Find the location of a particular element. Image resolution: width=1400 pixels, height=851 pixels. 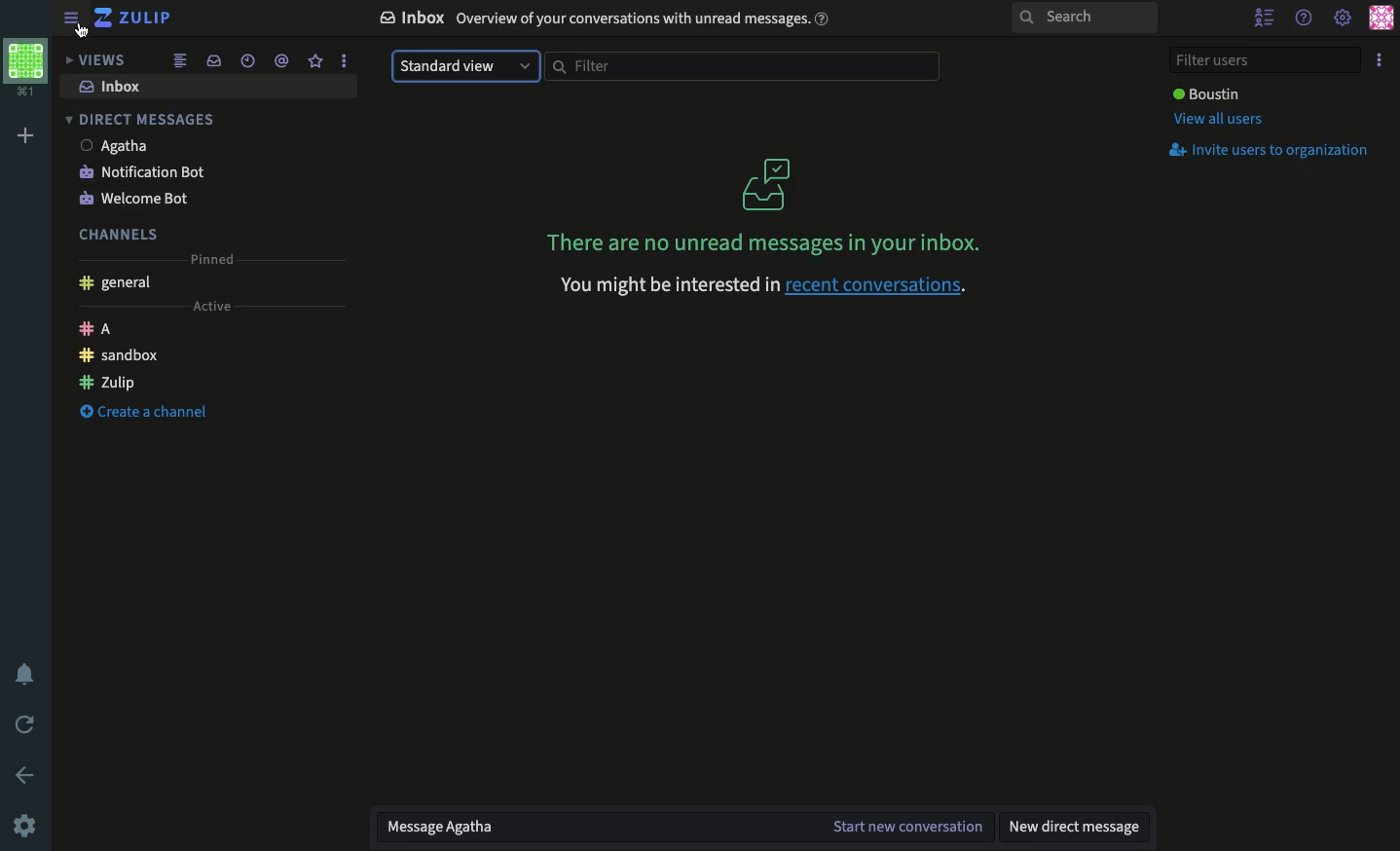

Notification is located at coordinates (22, 672).